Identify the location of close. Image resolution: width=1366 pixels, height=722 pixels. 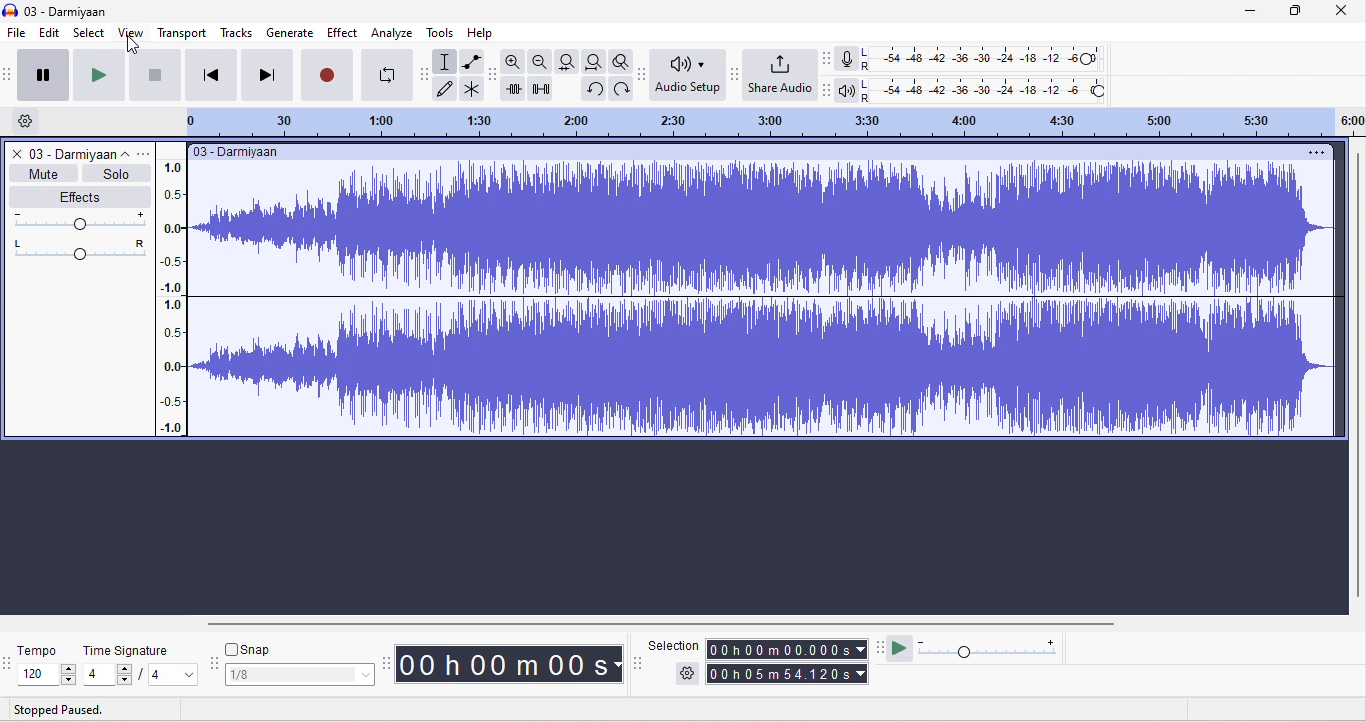
(17, 155).